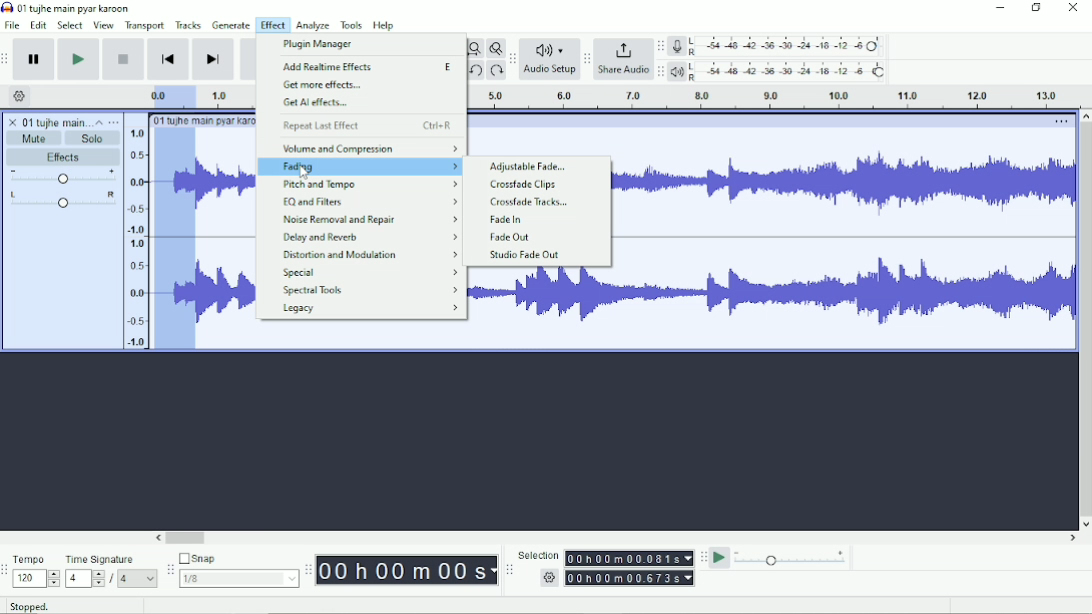 Image resolution: width=1092 pixels, height=614 pixels. What do you see at coordinates (371, 309) in the screenshot?
I see `Legacy` at bounding box center [371, 309].